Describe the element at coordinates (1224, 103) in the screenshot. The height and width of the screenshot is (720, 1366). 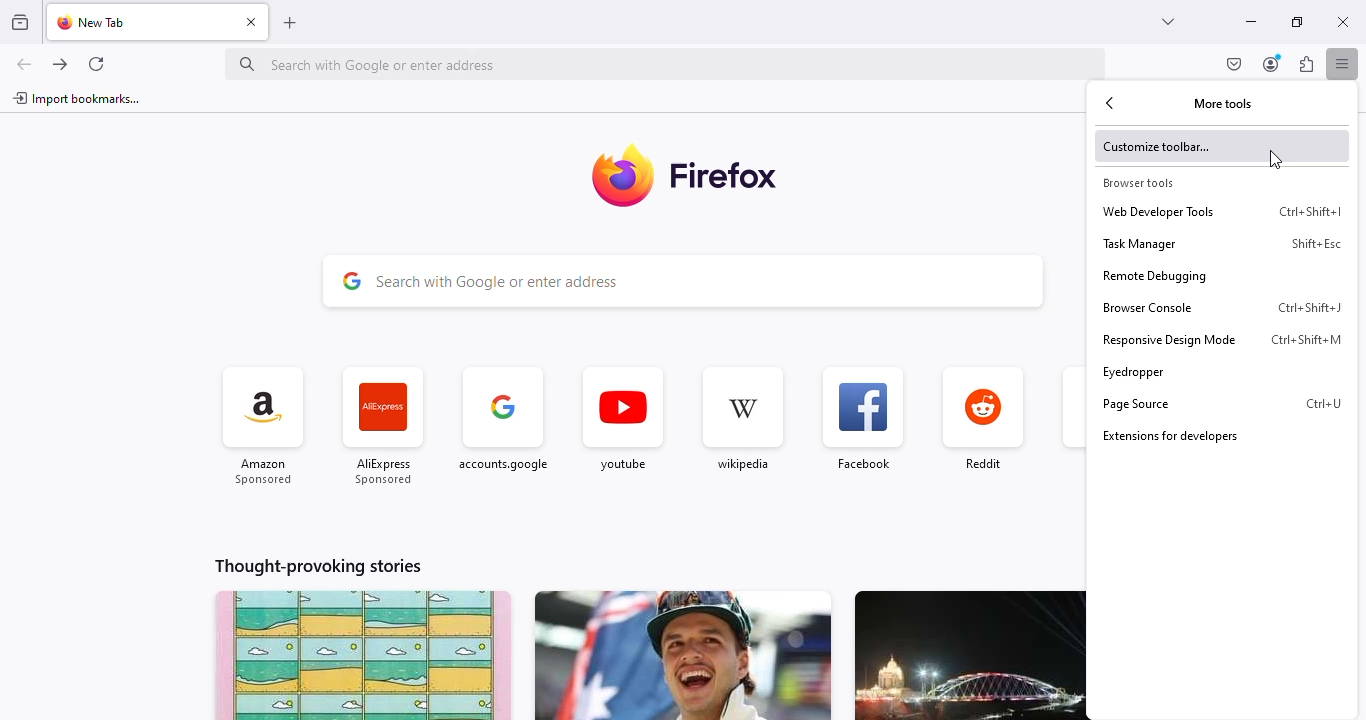
I see `more tools` at that location.